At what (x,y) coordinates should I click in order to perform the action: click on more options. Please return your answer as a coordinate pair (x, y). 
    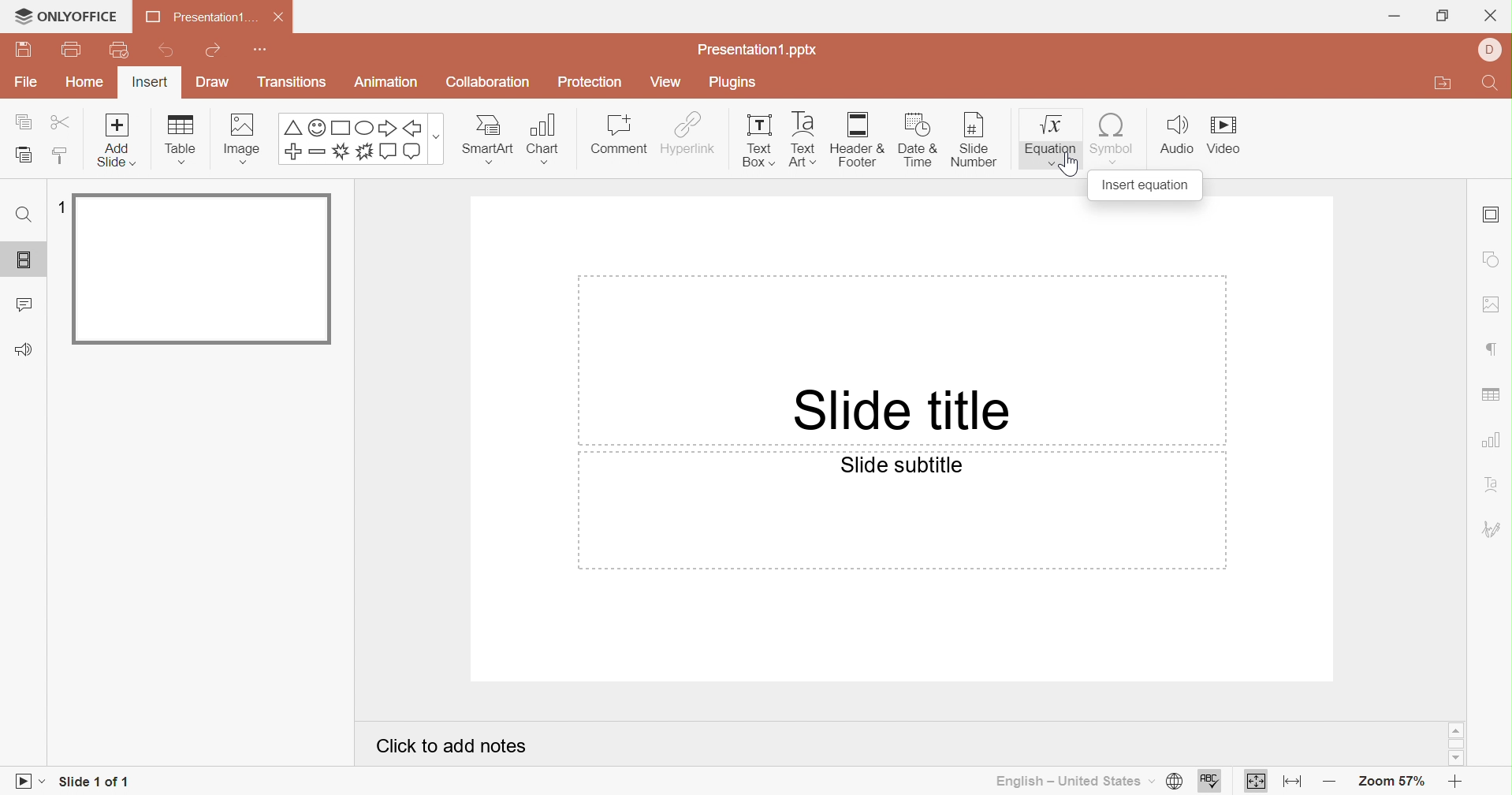
    Looking at the image, I should click on (438, 140).